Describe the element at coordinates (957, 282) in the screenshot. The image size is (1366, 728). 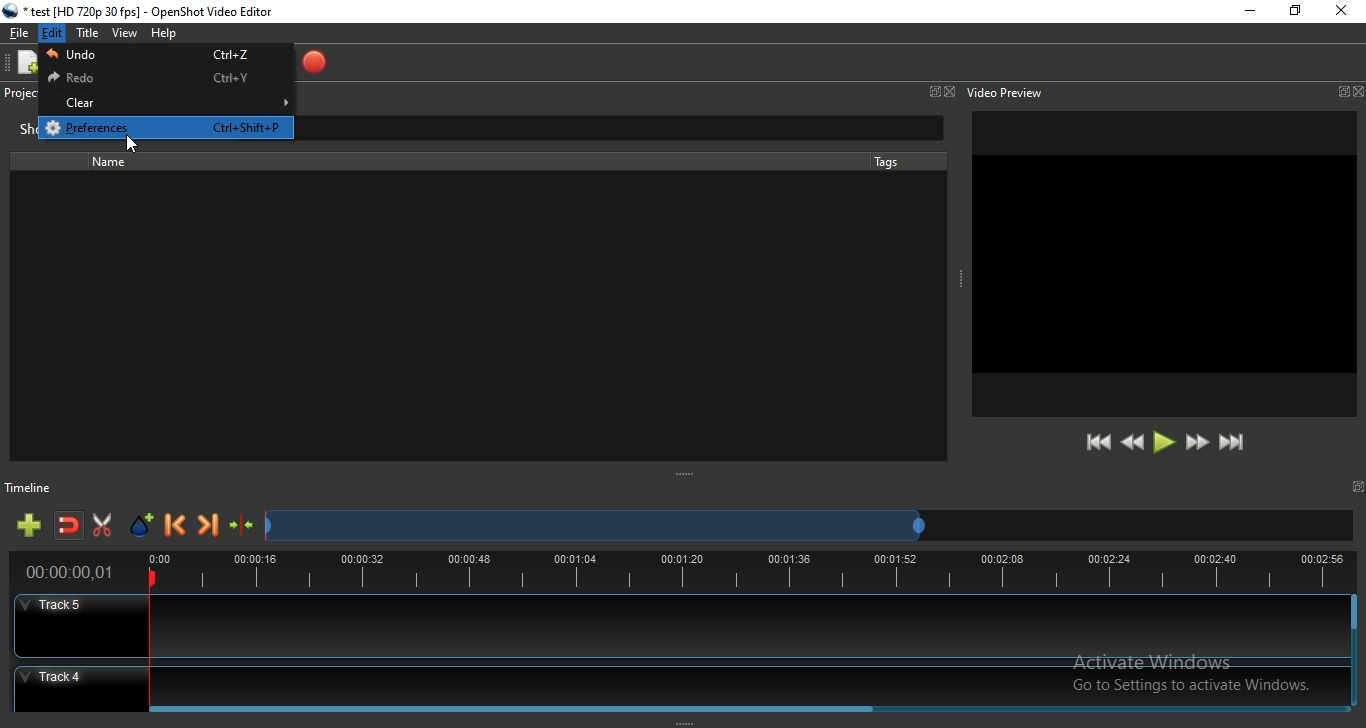
I see `adjust window` at that location.